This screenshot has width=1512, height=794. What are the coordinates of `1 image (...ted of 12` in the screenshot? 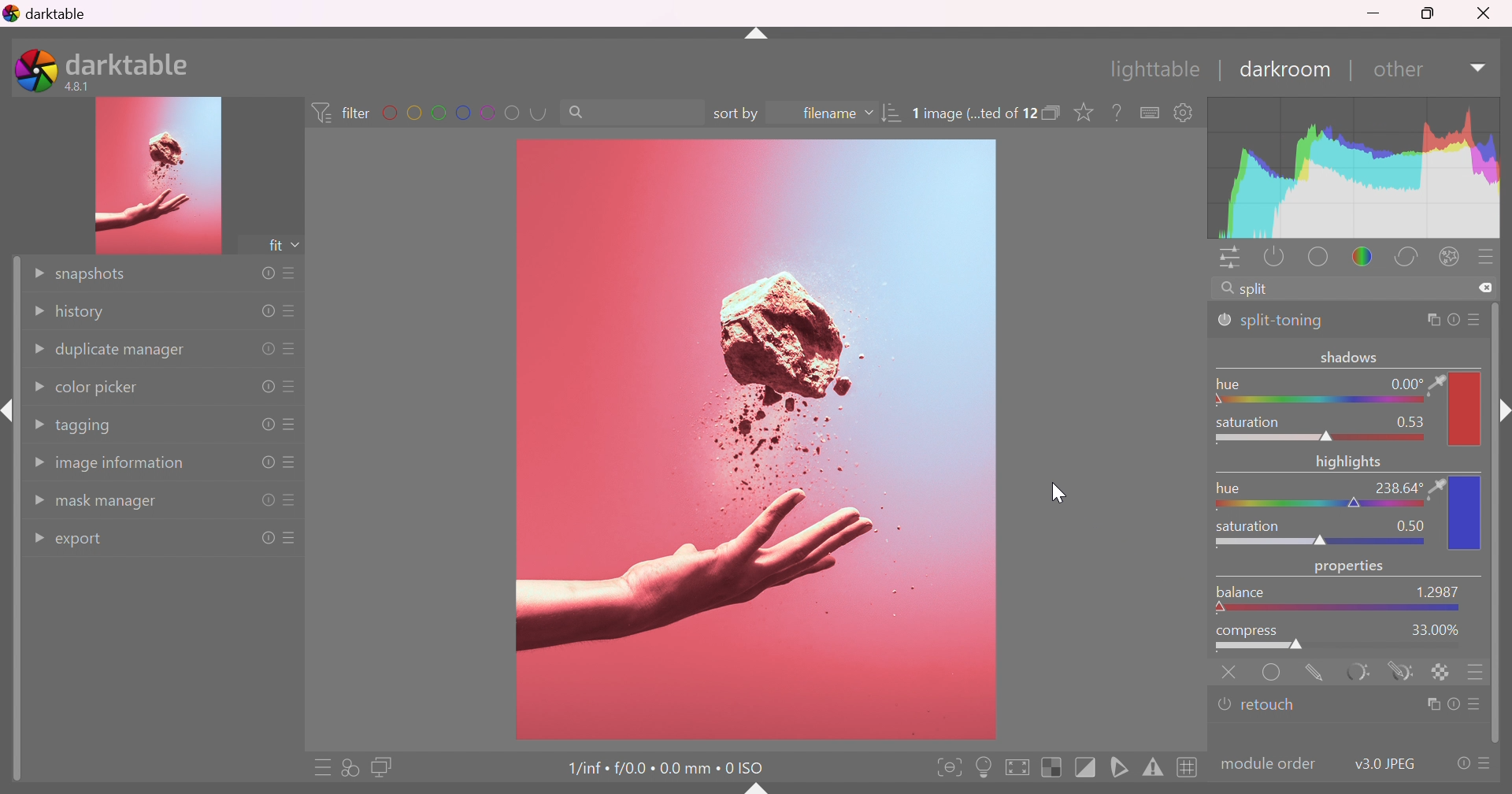 It's located at (976, 114).